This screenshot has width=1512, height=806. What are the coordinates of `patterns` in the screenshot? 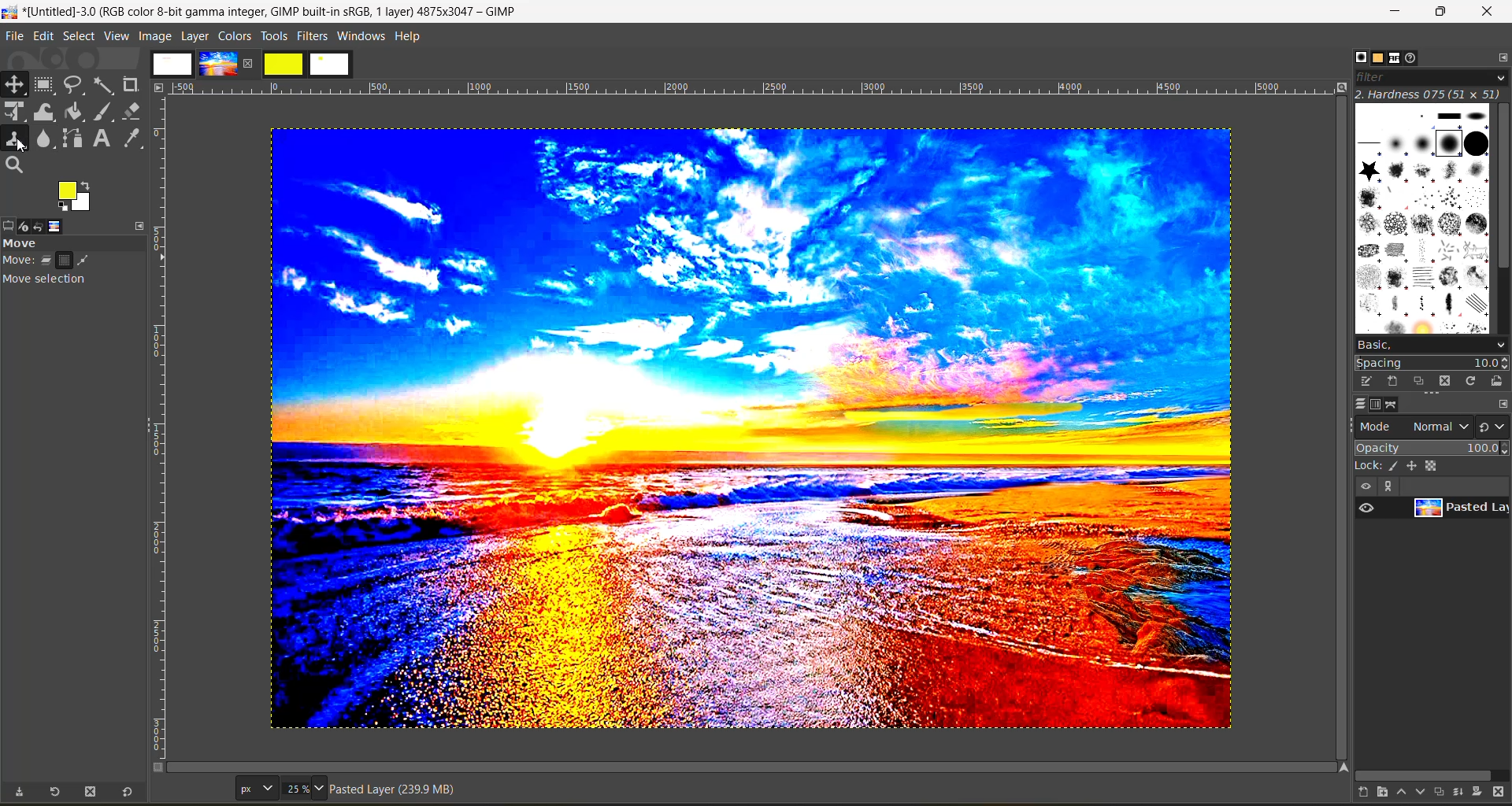 It's located at (1376, 59).